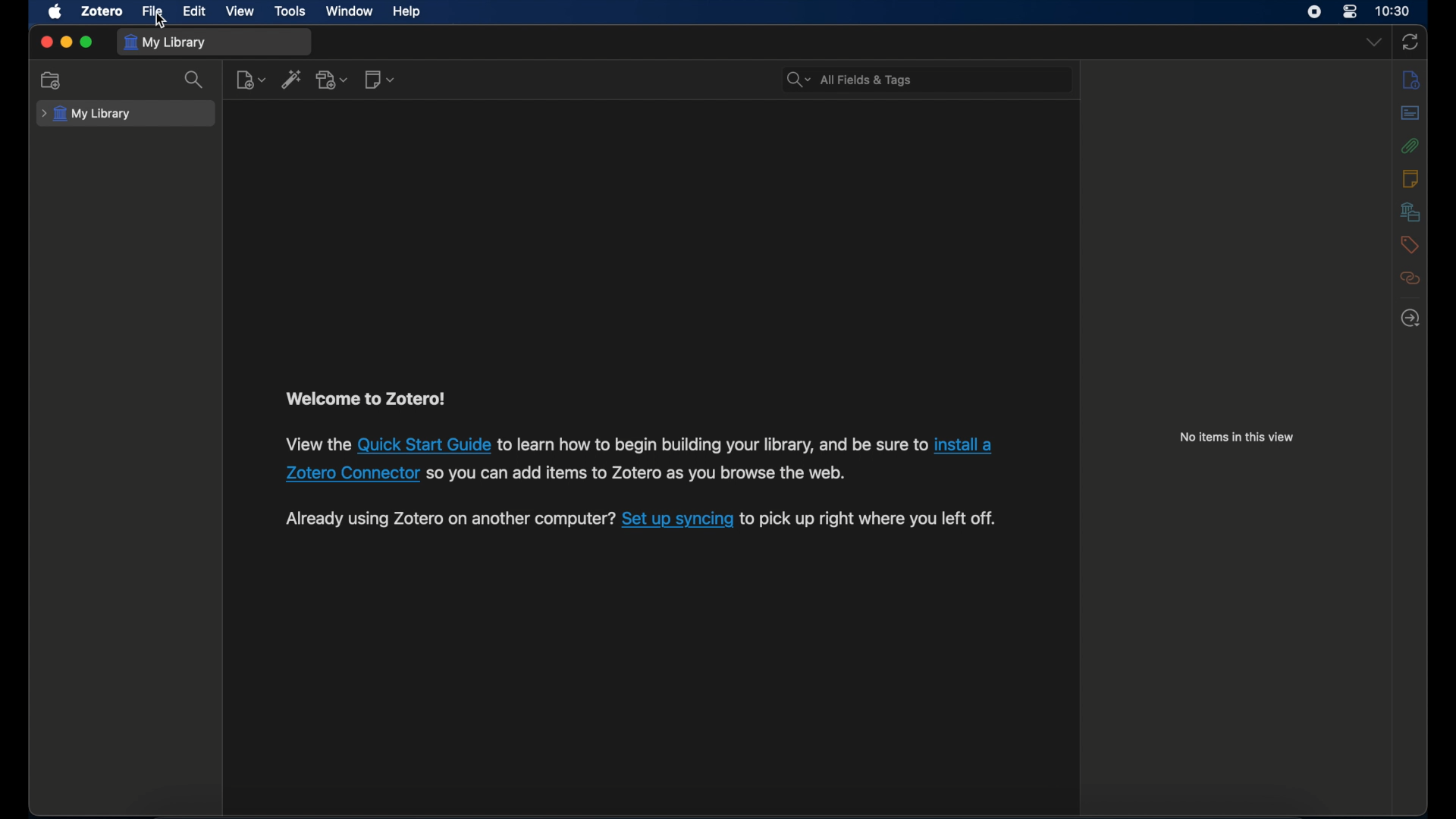  What do you see at coordinates (1314, 12) in the screenshot?
I see `screen recorder` at bounding box center [1314, 12].